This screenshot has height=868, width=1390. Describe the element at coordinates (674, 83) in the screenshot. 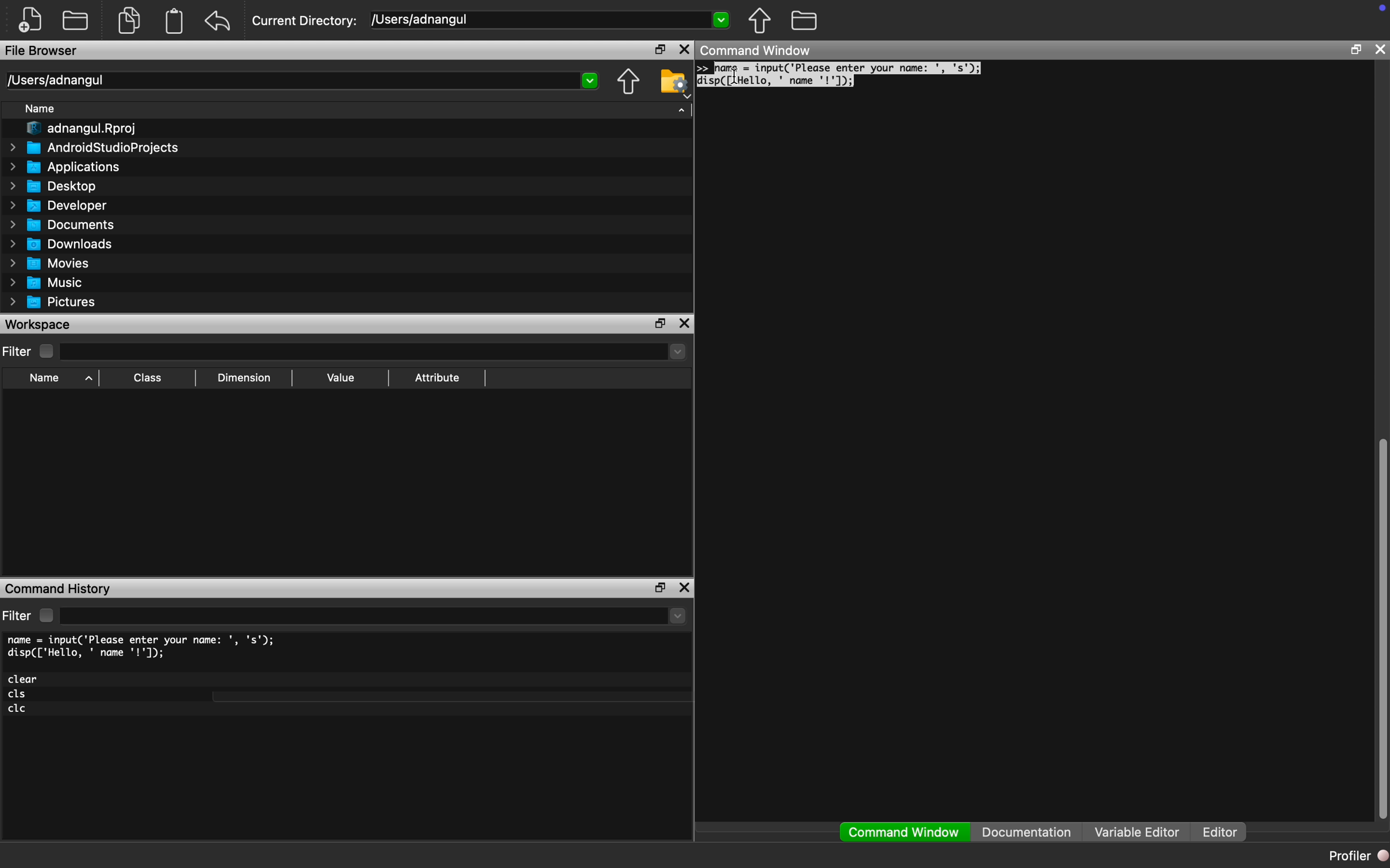

I see `Folder settings` at that location.